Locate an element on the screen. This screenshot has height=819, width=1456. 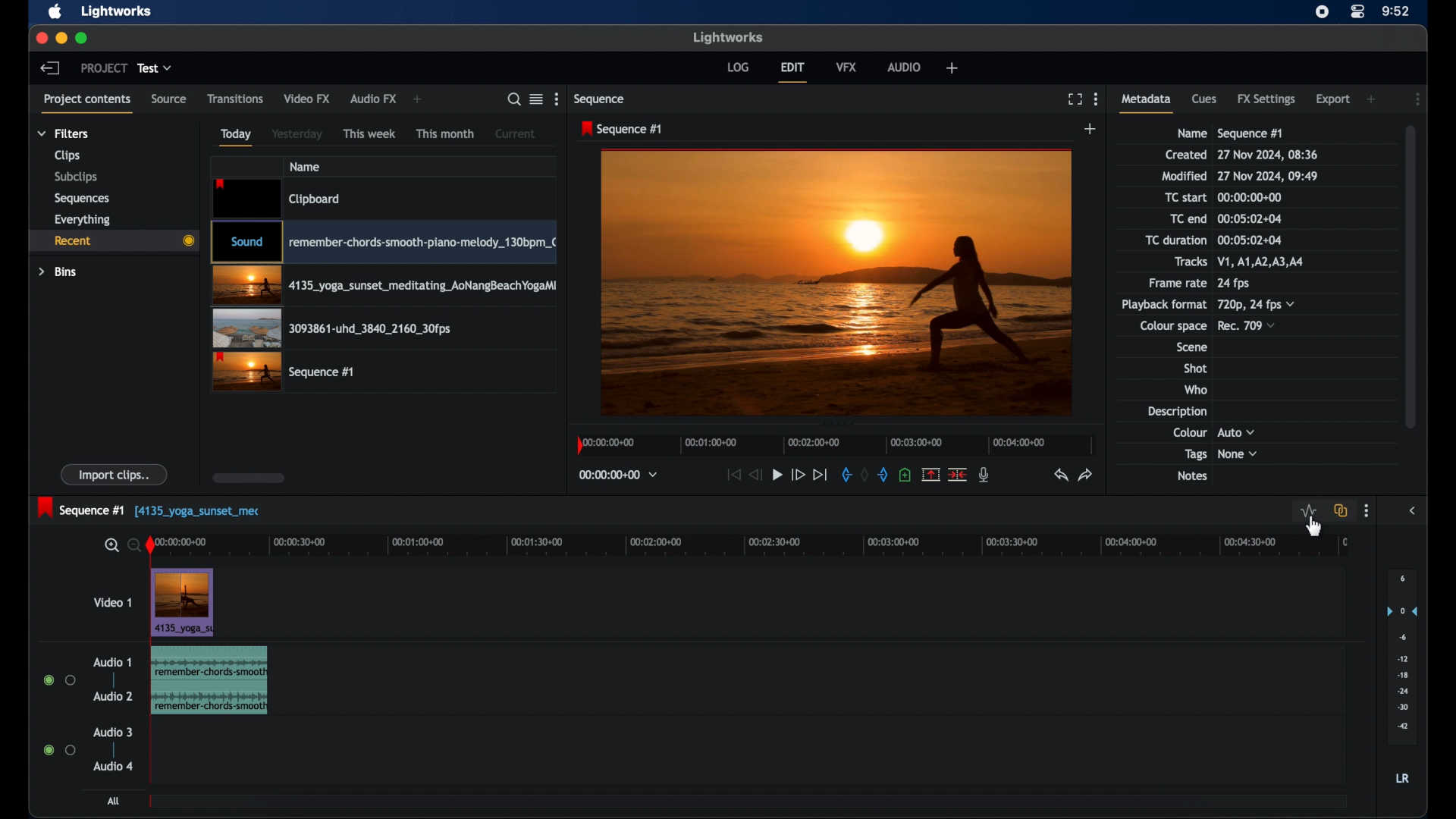
tracks is located at coordinates (1266, 262).